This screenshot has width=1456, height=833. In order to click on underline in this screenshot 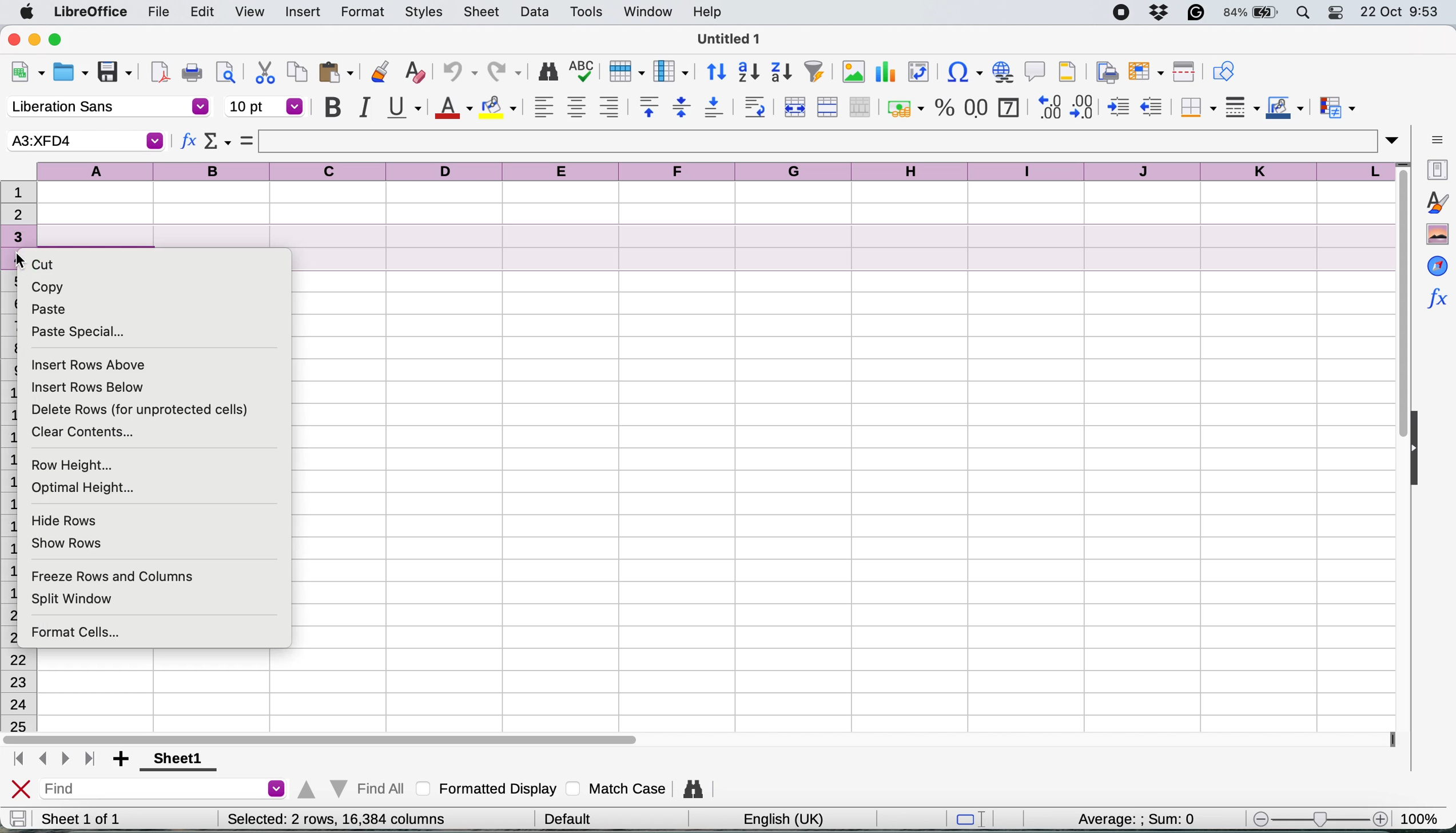, I will do `click(403, 106)`.